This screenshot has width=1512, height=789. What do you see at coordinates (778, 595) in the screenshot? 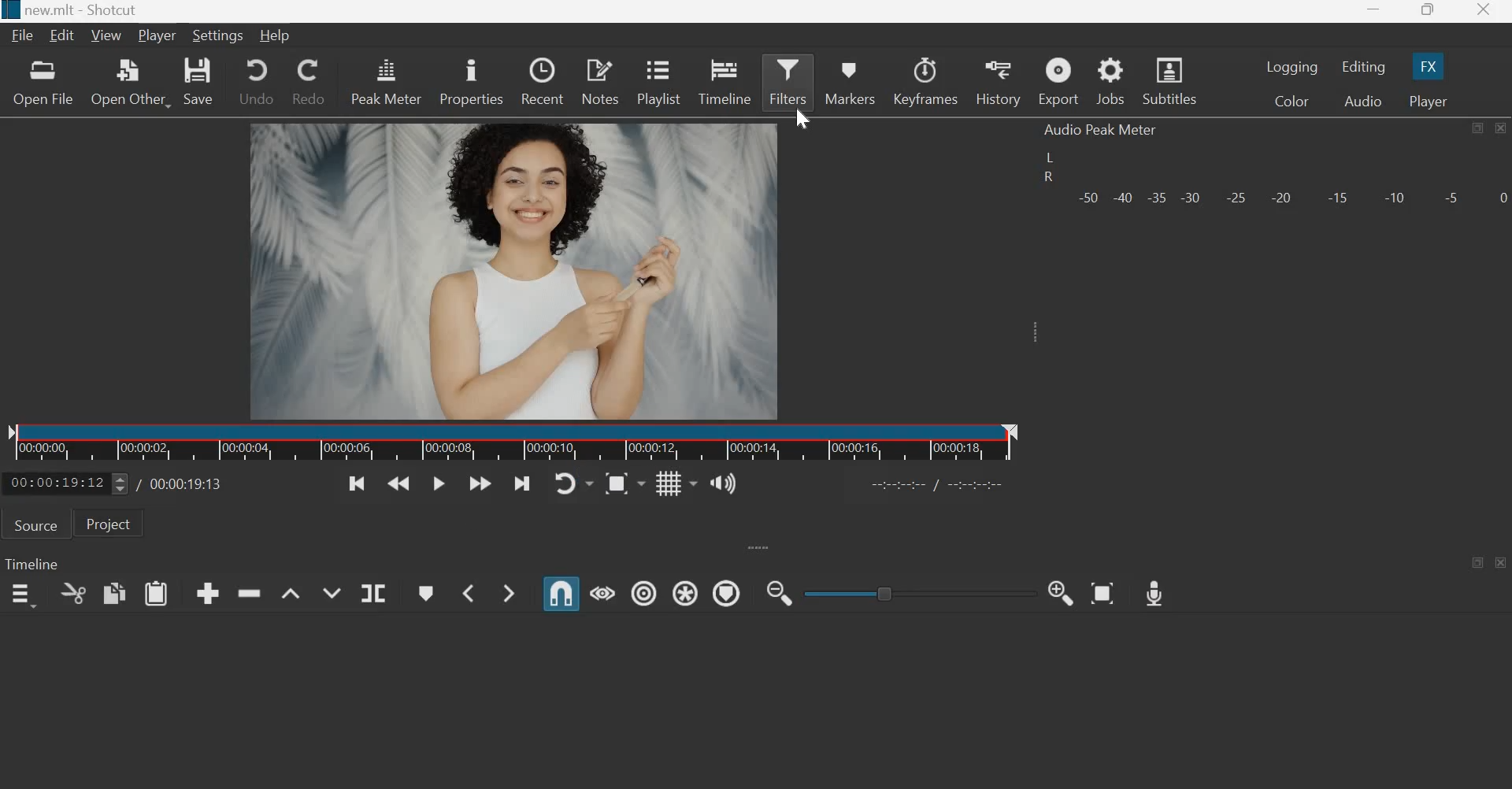
I see `Zoom Timeline out` at bounding box center [778, 595].